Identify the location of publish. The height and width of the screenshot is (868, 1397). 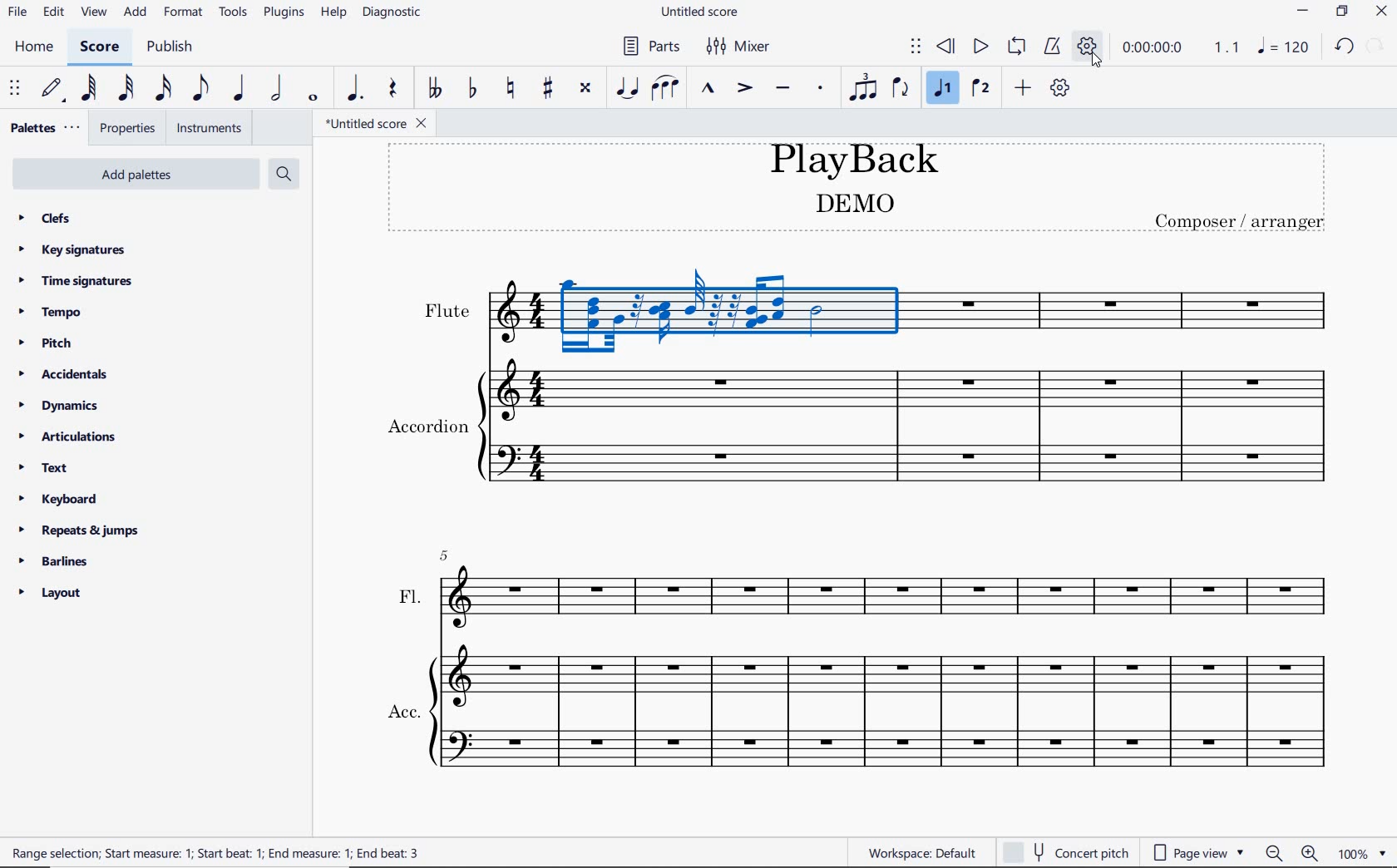
(174, 45).